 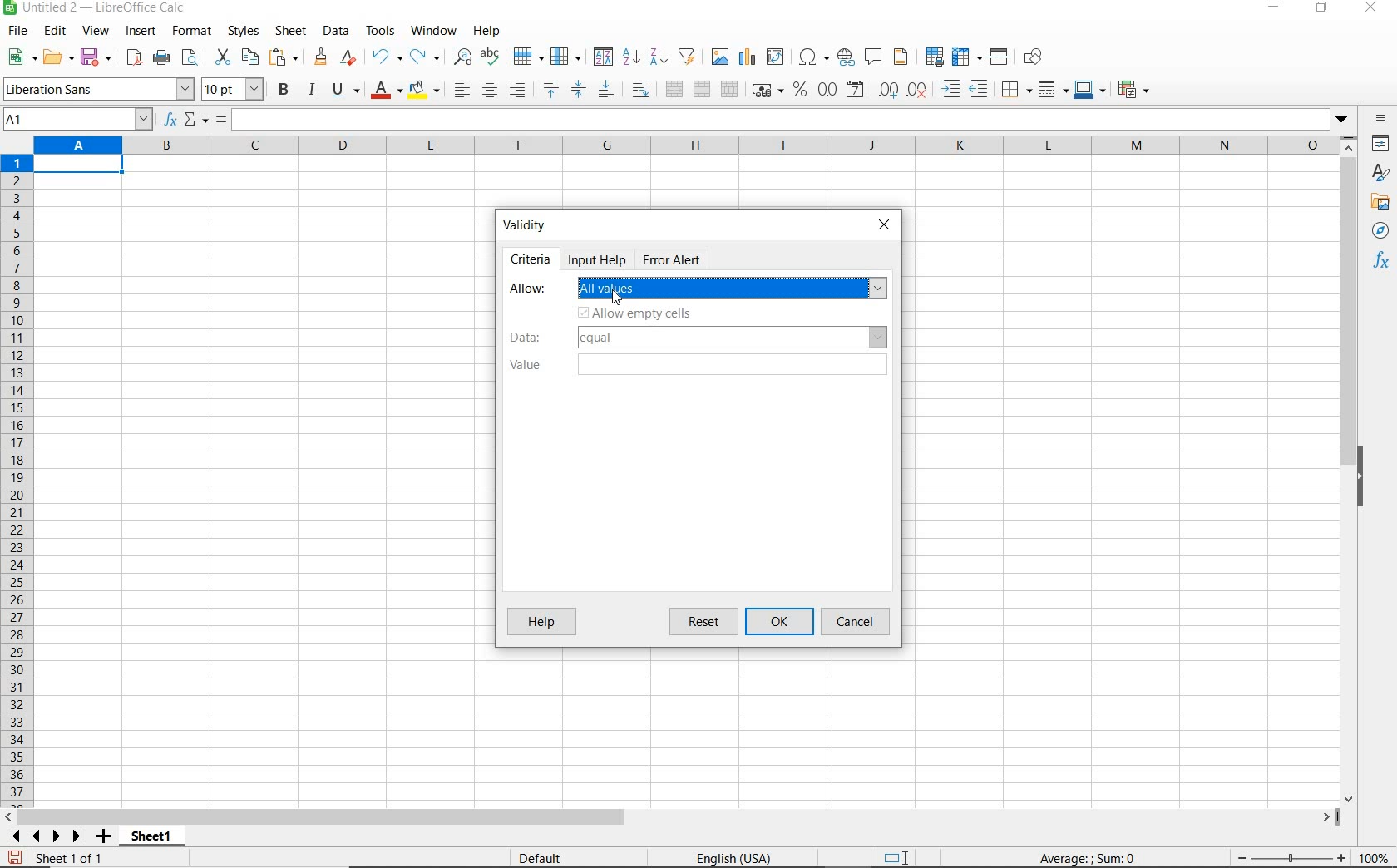 I want to click on insert hyperlink, so click(x=846, y=56).